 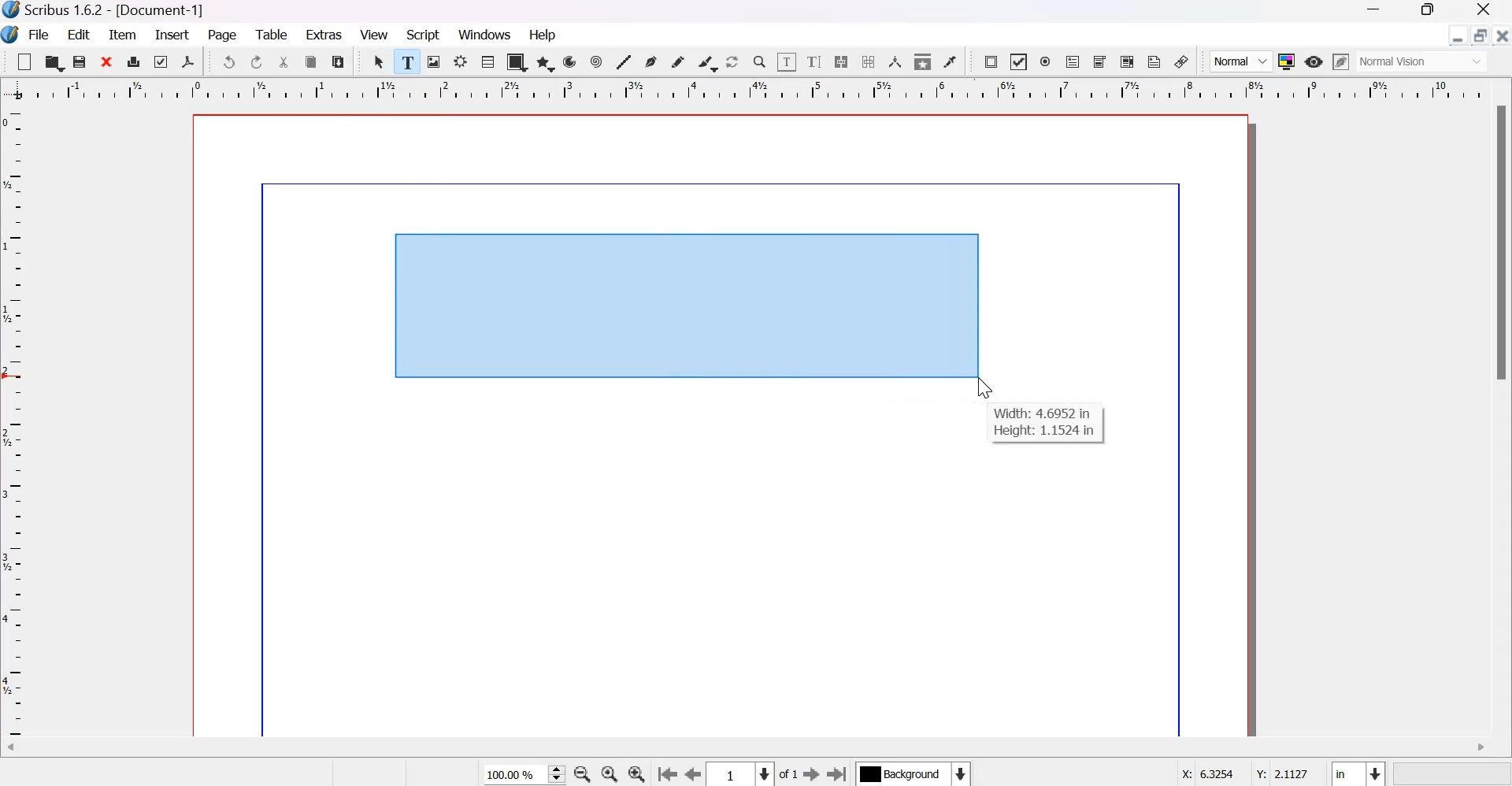 What do you see at coordinates (1480, 35) in the screenshot?
I see `maximize` at bounding box center [1480, 35].